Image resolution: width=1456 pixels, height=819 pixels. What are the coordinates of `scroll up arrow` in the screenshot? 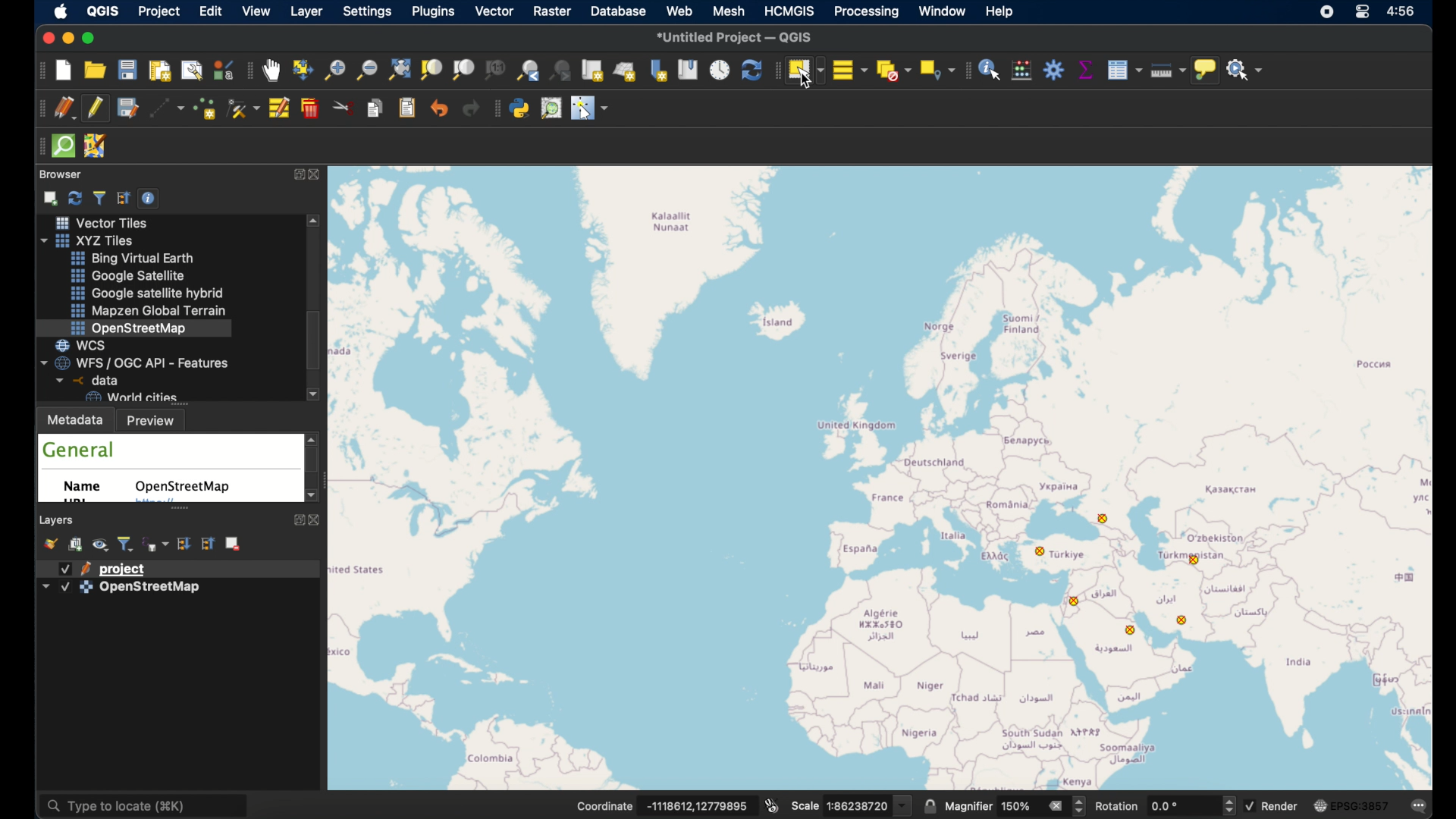 It's located at (315, 221).